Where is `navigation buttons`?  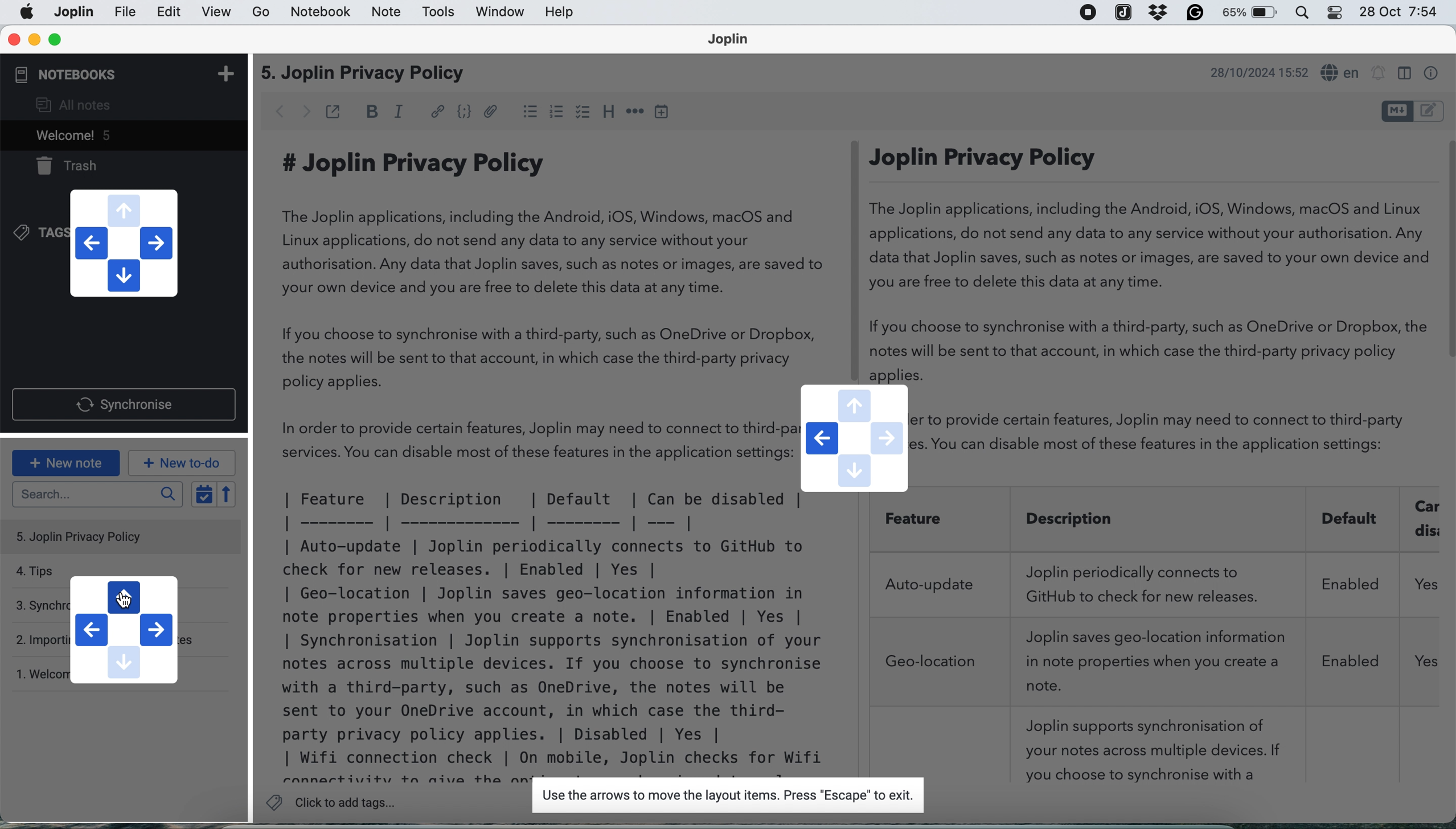
navigation buttons is located at coordinates (122, 243).